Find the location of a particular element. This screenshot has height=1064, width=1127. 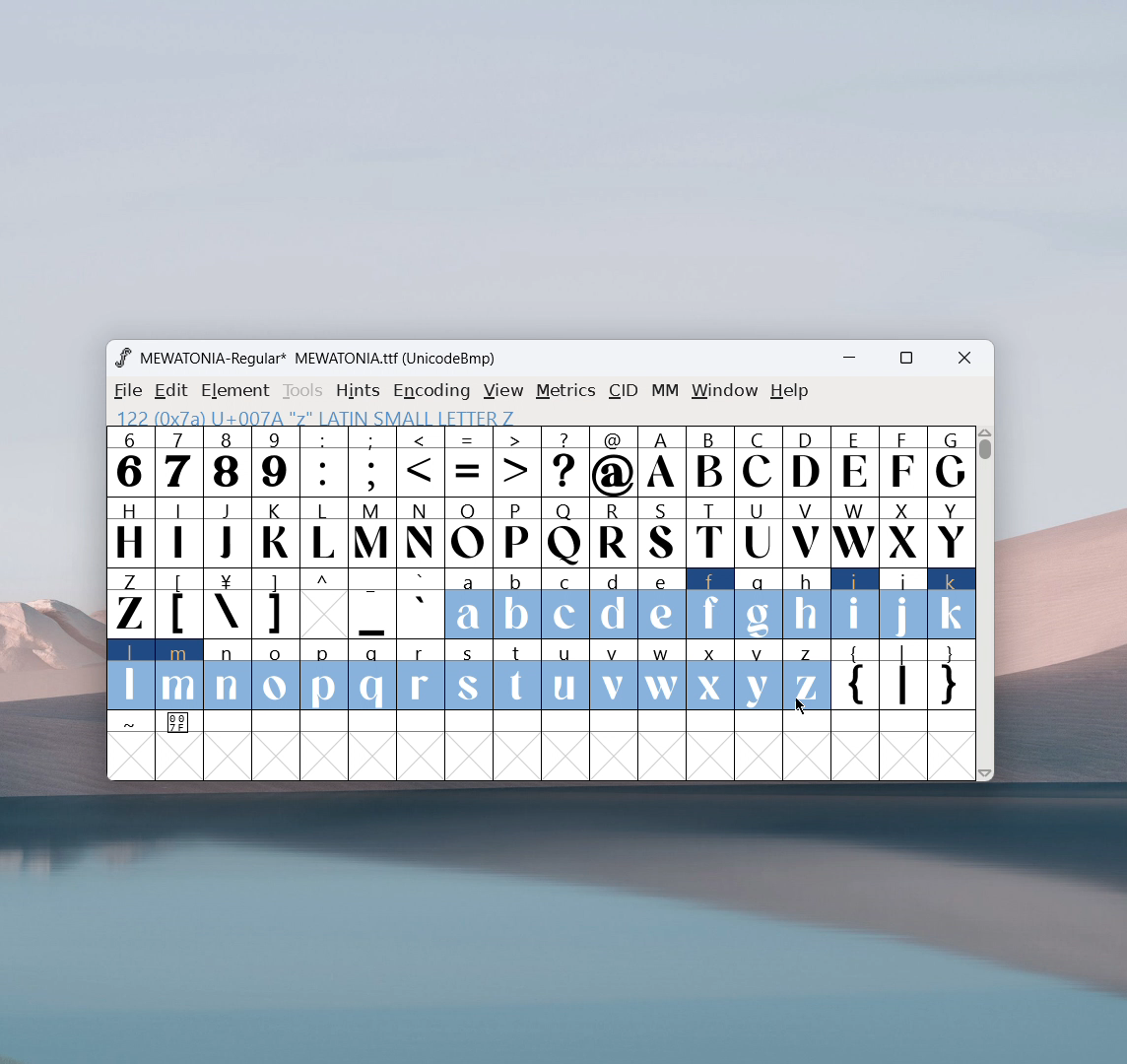

tools is located at coordinates (303, 391).